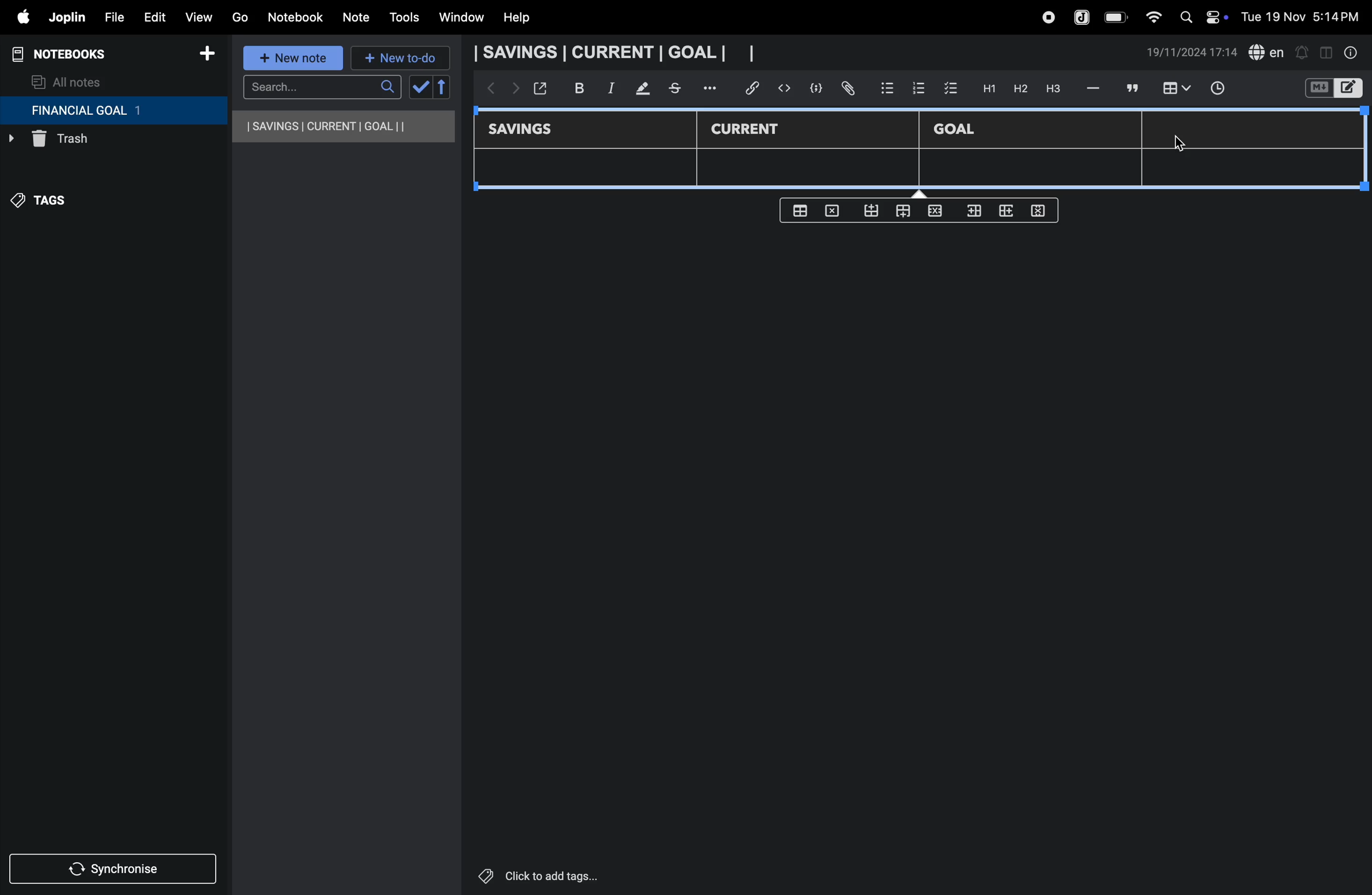 The height and width of the screenshot is (895, 1372). I want to click on attach file, so click(847, 89).